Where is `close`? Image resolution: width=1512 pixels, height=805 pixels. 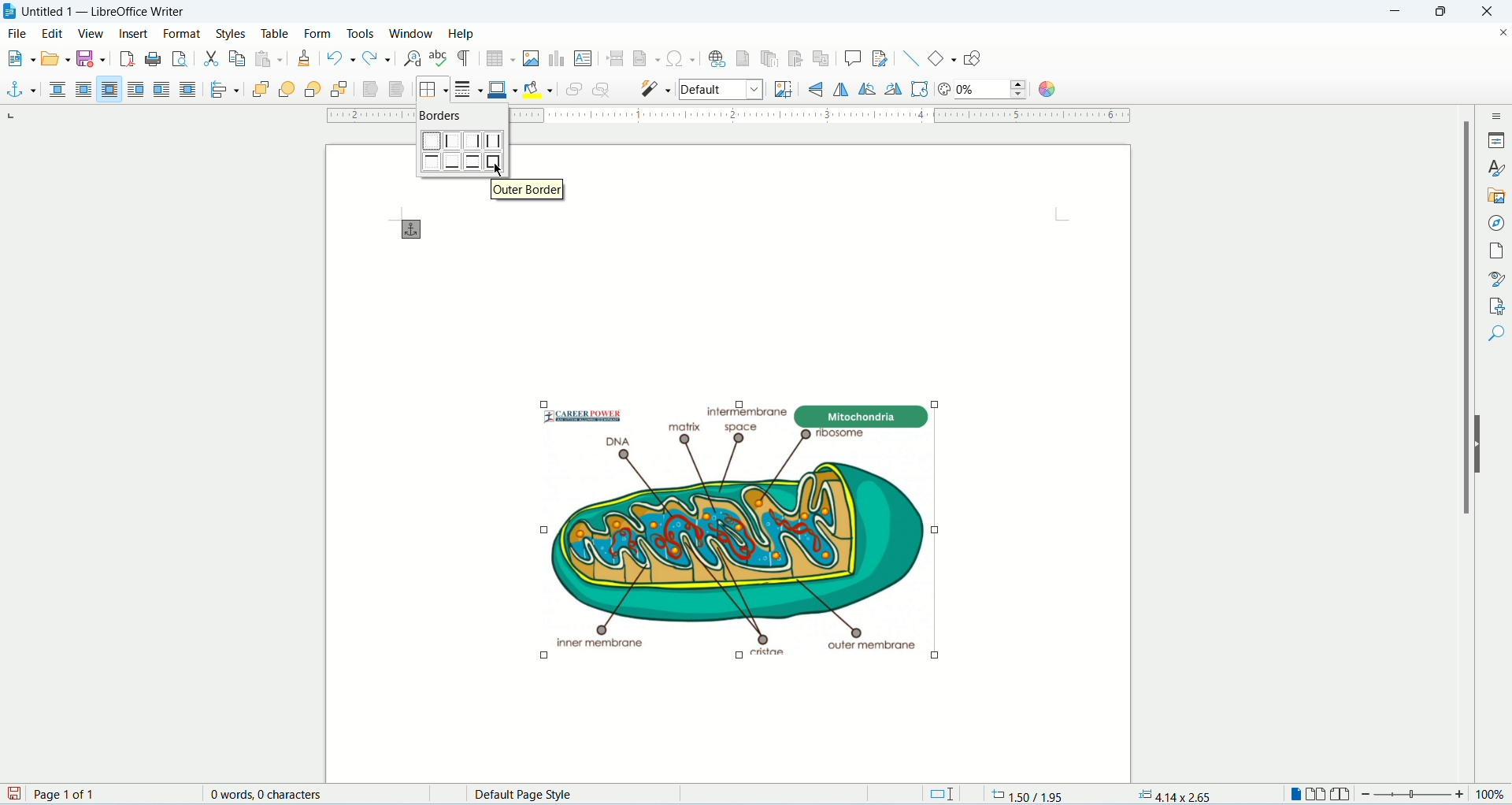 close is located at coordinates (1488, 12).